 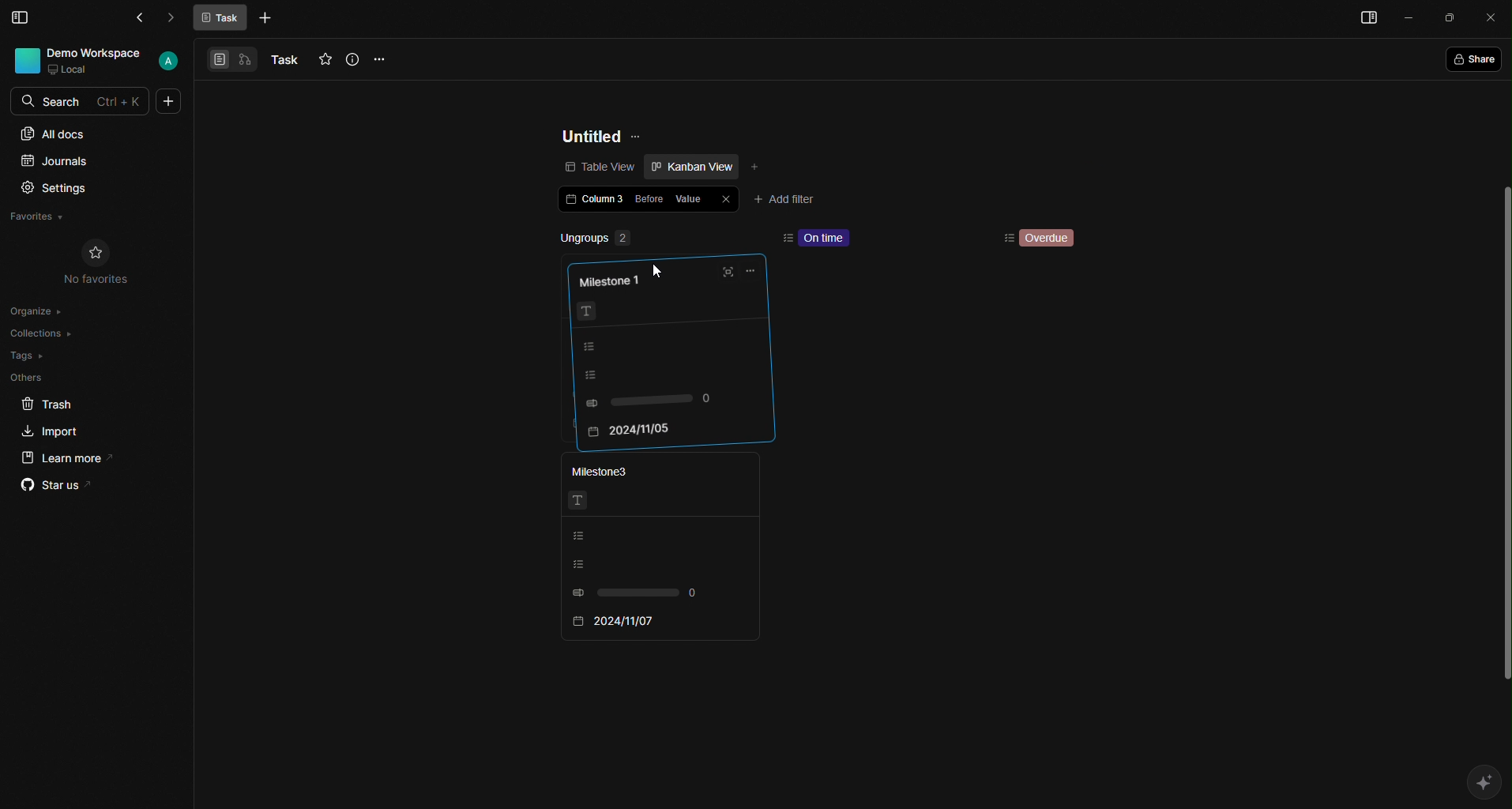 What do you see at coordinates (860, 680) in the screenshot?
I see `scroll` at bounding box center [860, 680].